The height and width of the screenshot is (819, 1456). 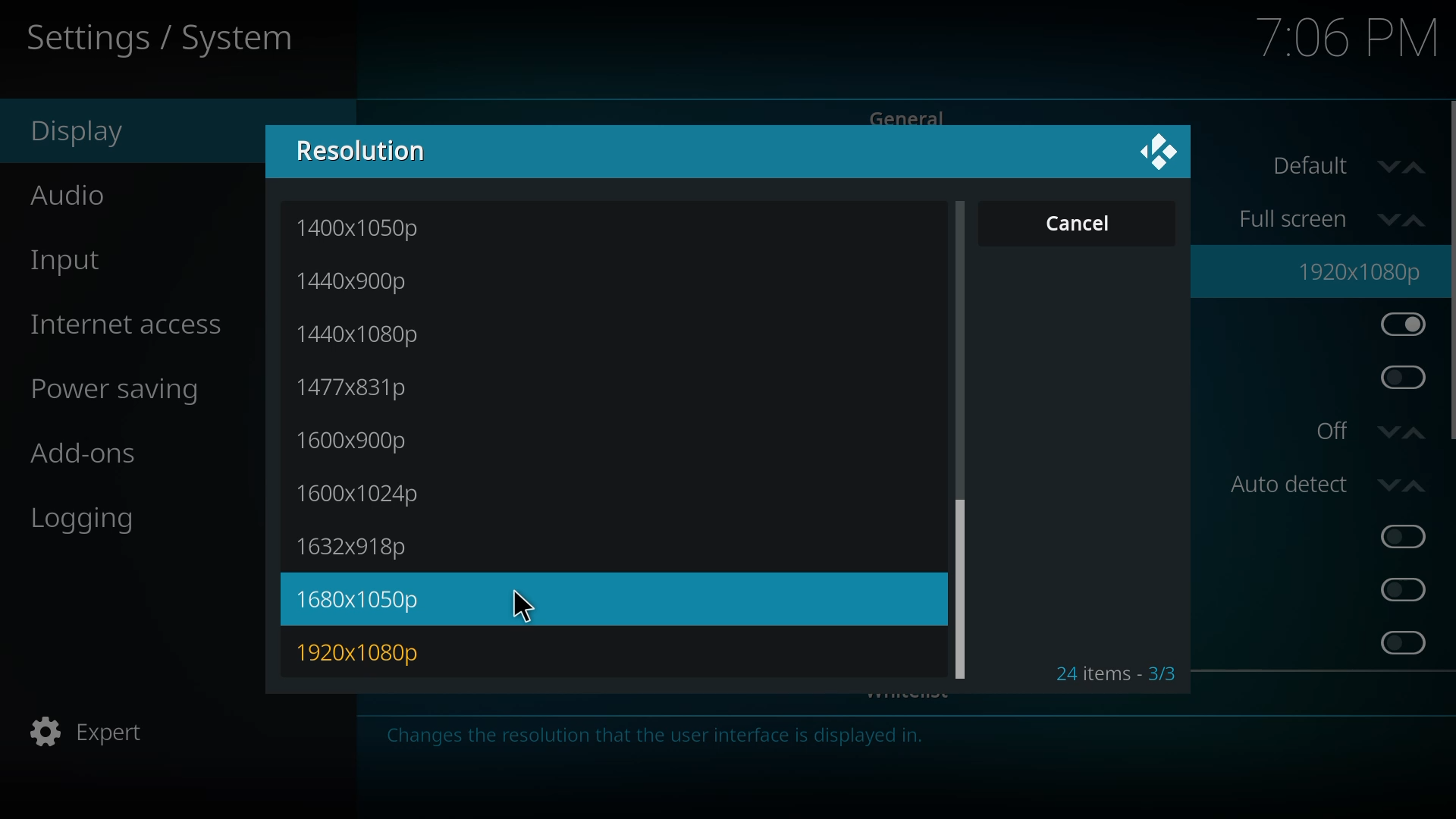 I want to click on off, so click(x=1371, y=430).